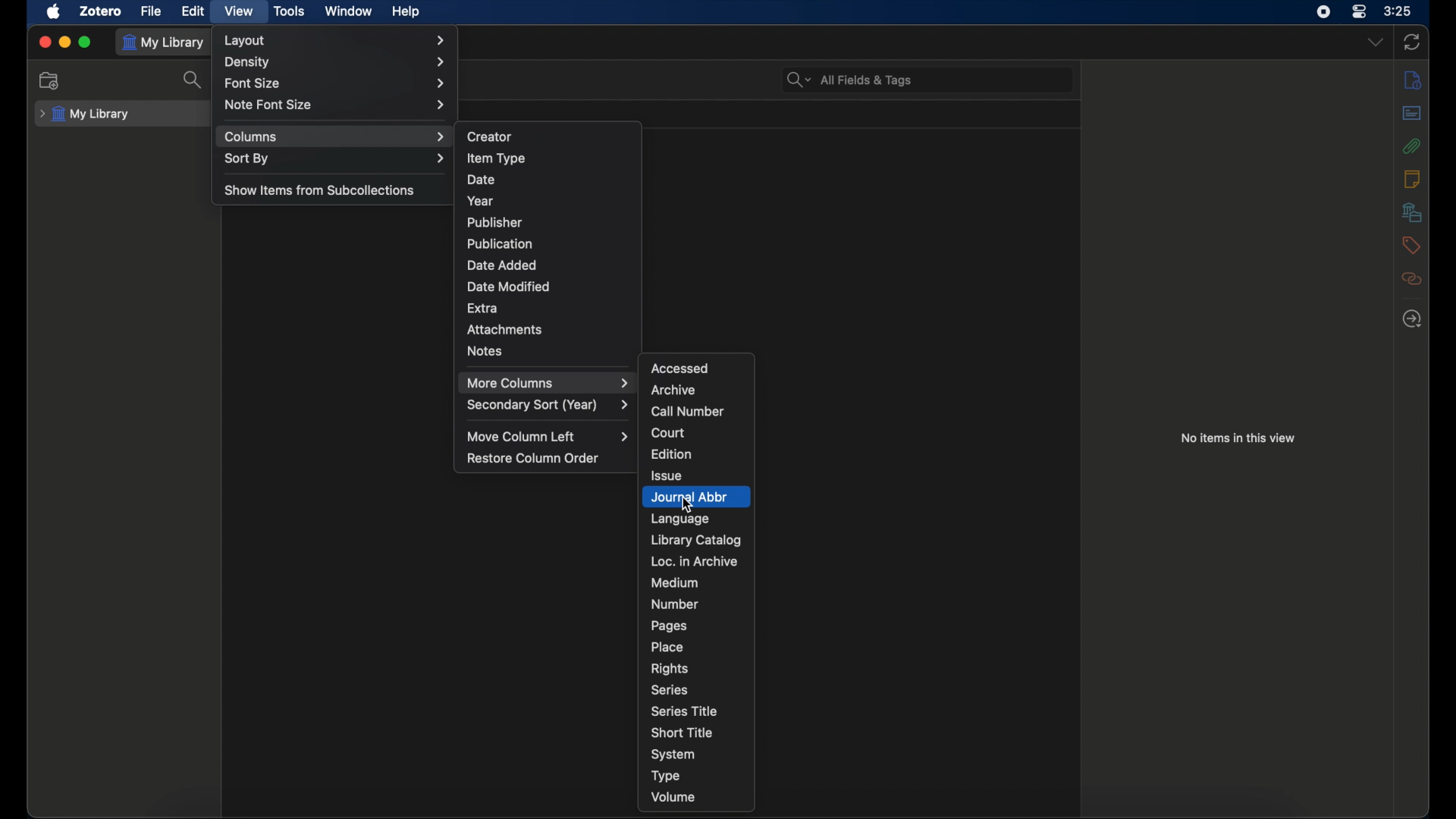 The width and height of the screenshot is (1456, 819). Describe the element at coordinates (533, 459) in the screenshot. I see `restore column order` at that location.